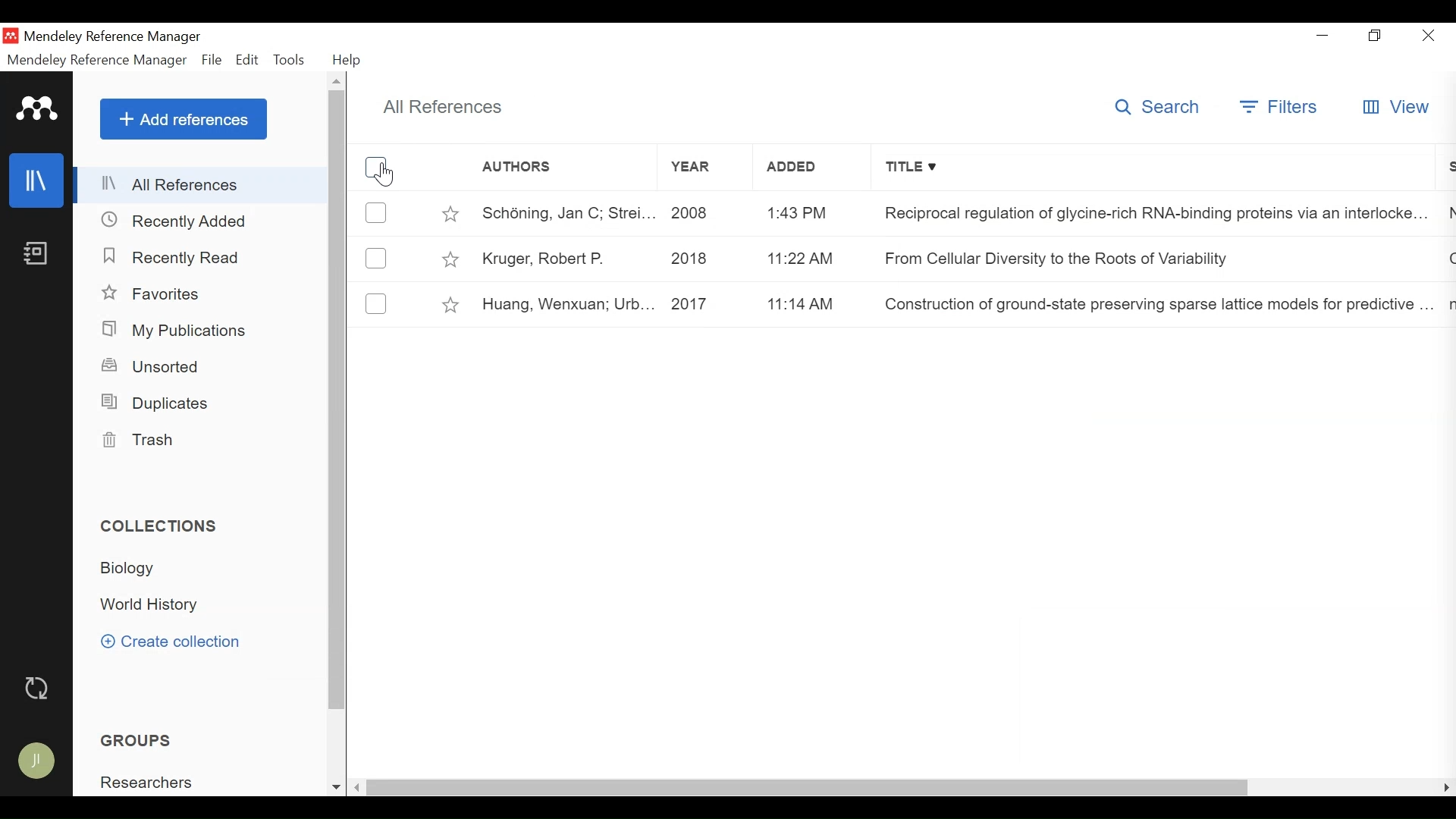  I want to click on My Publications, so click(176, 330).